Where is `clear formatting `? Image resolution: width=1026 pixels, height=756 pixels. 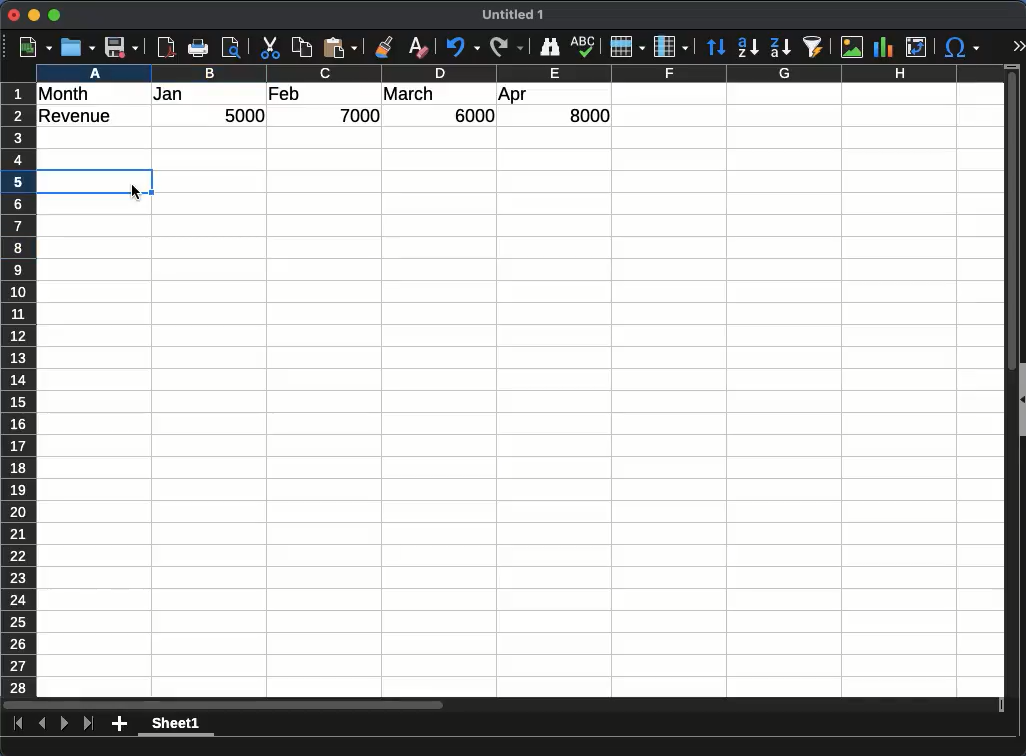
clear formatting  is located at coordinates (419, 47).